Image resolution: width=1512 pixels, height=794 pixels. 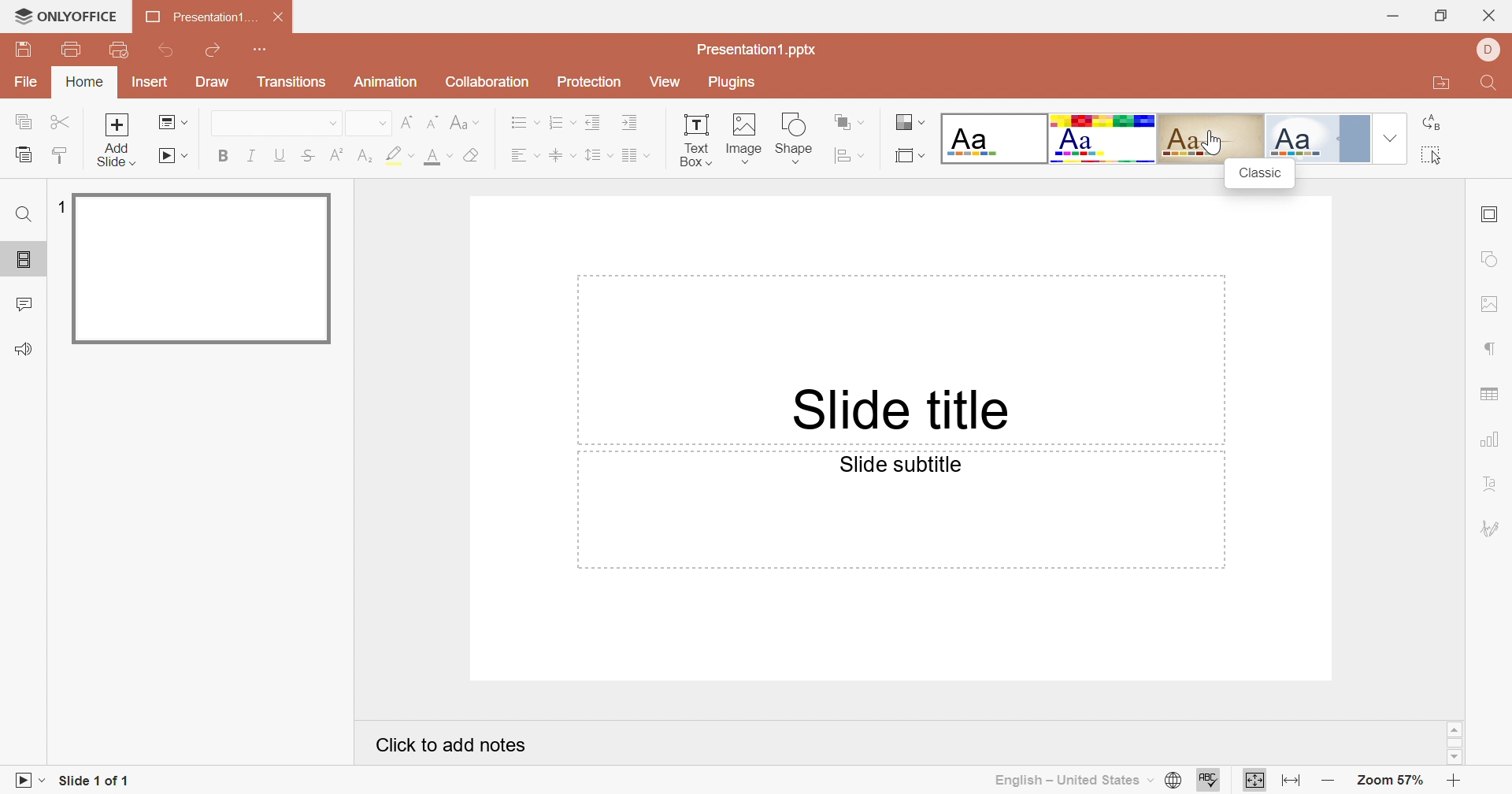 I want to click on Drop Down, so click(x=1389, y=136).